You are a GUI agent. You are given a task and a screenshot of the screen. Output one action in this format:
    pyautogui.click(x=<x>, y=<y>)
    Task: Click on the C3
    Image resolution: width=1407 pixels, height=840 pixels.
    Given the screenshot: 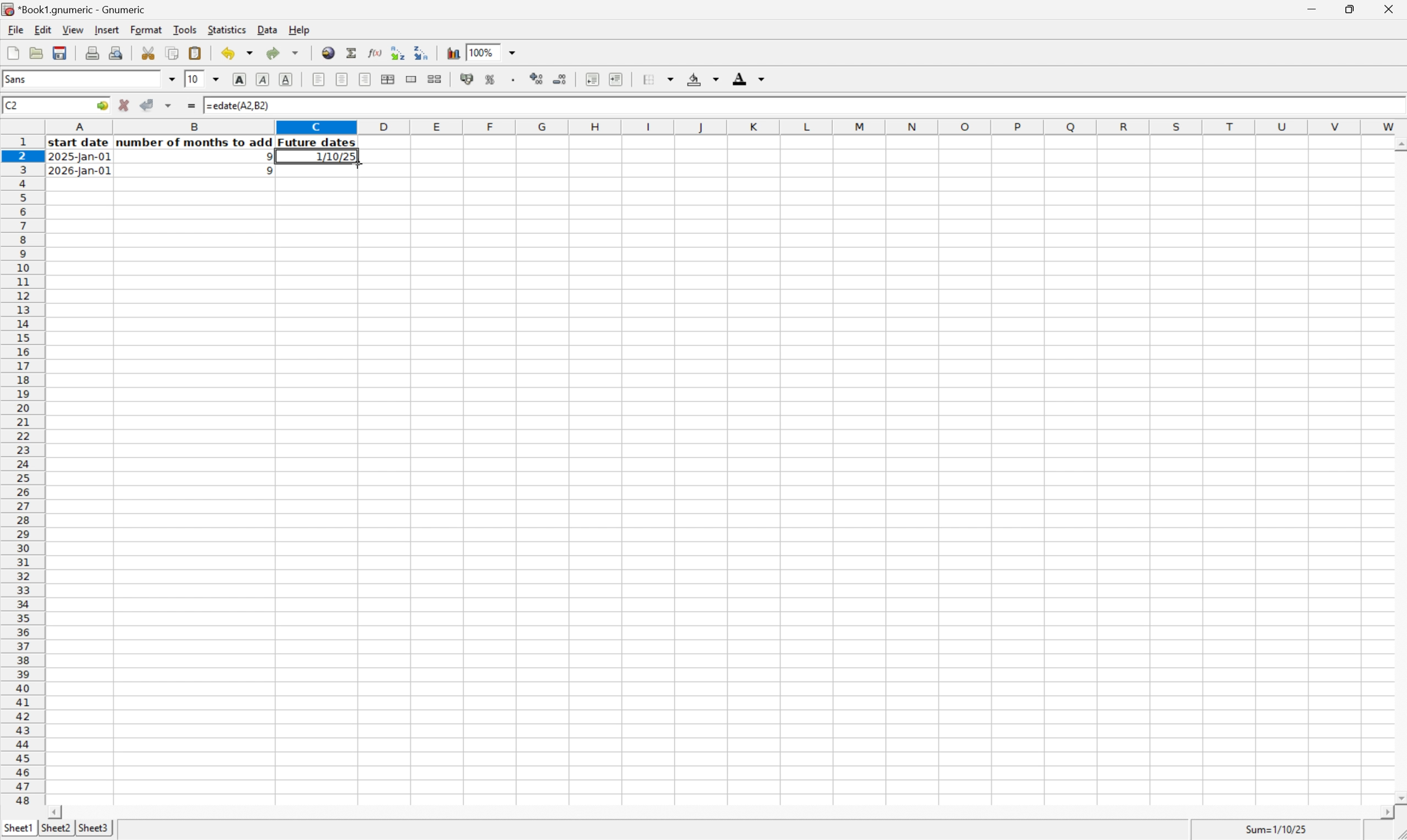 What is the action you would take?
    pyautogui.click(x=11, y=105)
    